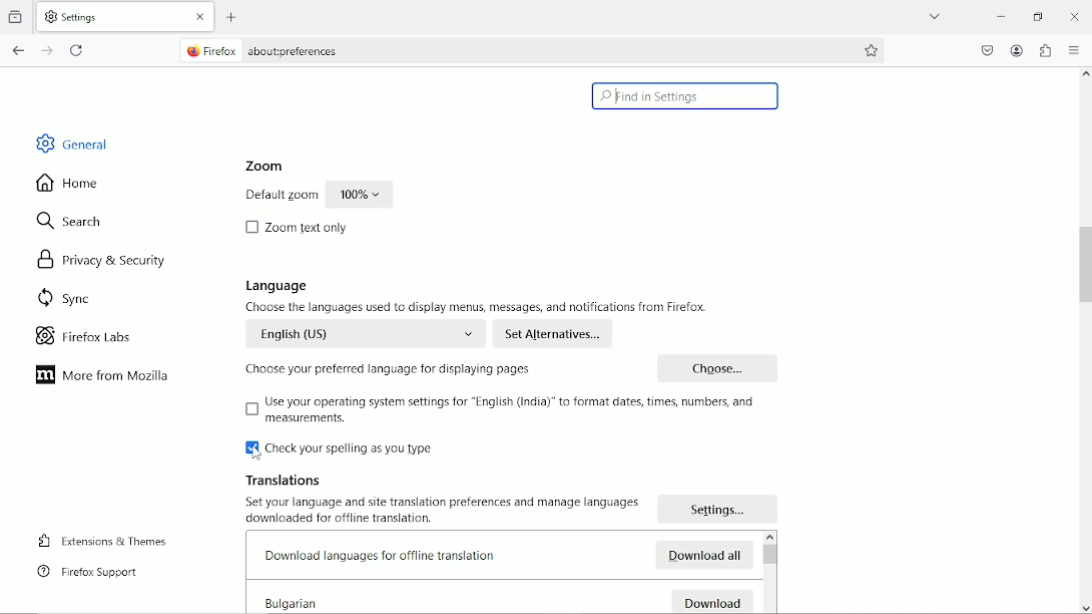 This screenshot has width=1092, height=614. I want to click on Extensions, so click(1044, 50).